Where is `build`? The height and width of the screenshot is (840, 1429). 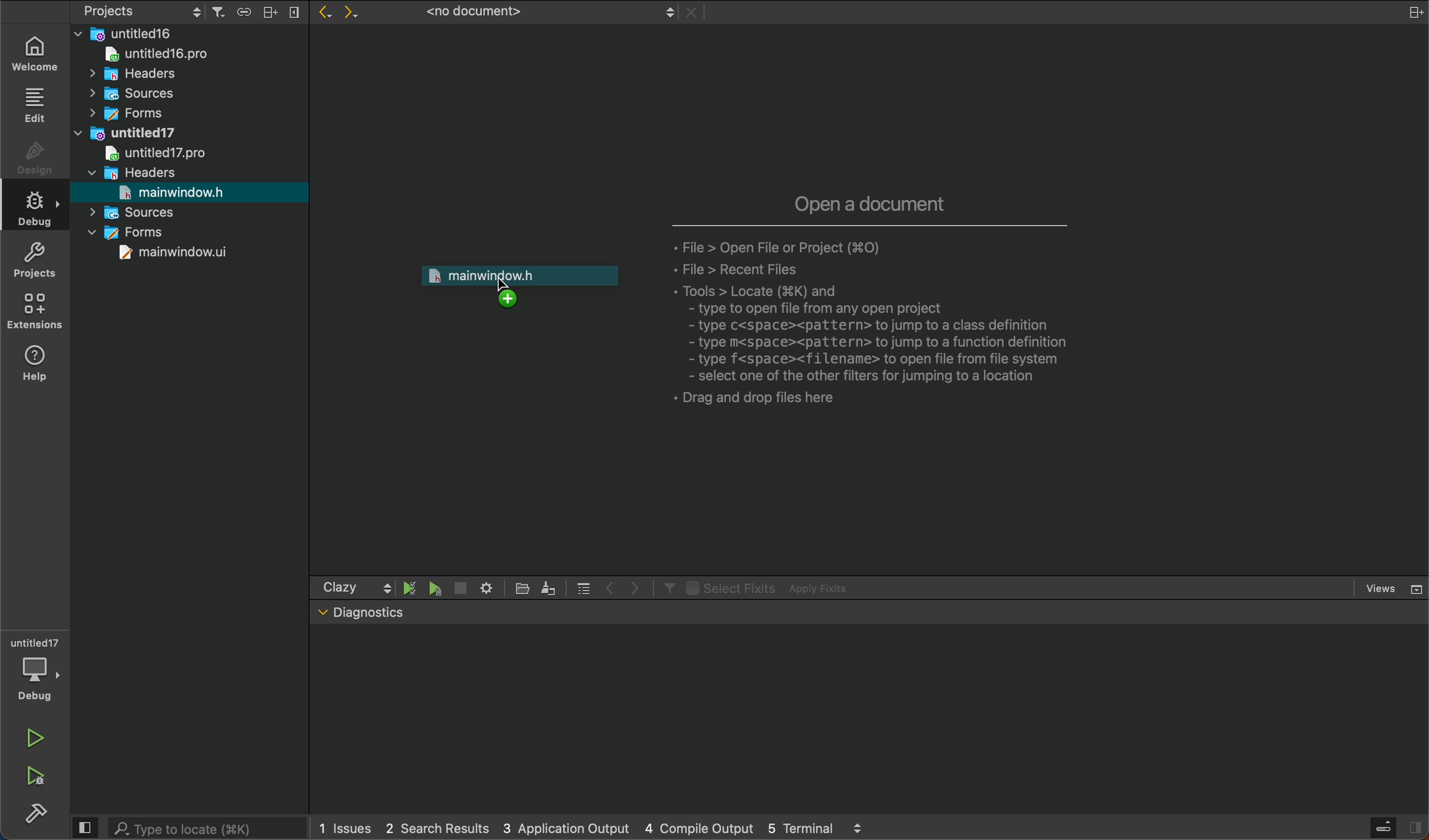
build is located at coordinates (36, 816).